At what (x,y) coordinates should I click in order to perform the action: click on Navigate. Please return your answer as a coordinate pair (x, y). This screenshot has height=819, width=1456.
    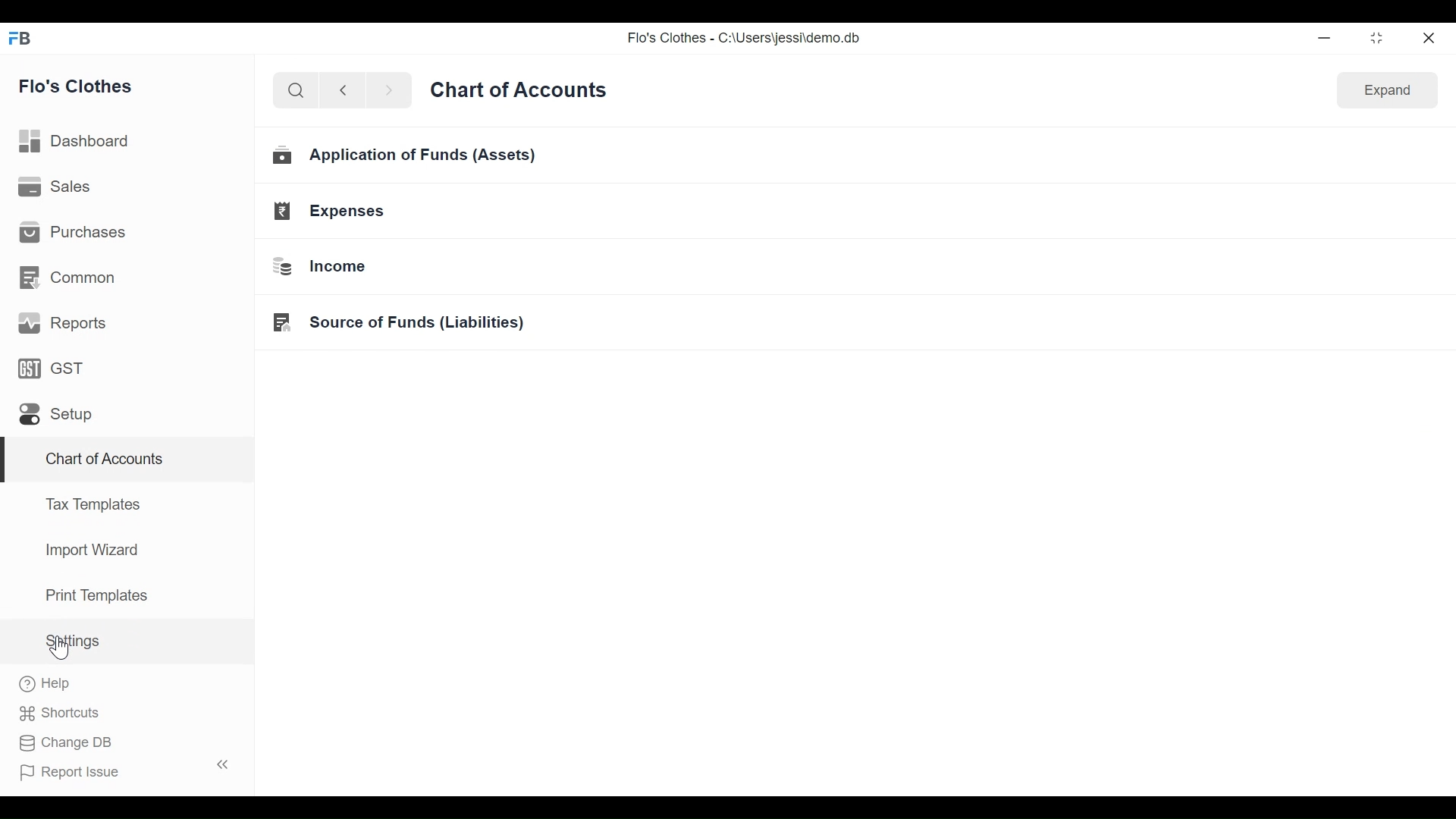
    Looking at the image, I should click on (387, 89).